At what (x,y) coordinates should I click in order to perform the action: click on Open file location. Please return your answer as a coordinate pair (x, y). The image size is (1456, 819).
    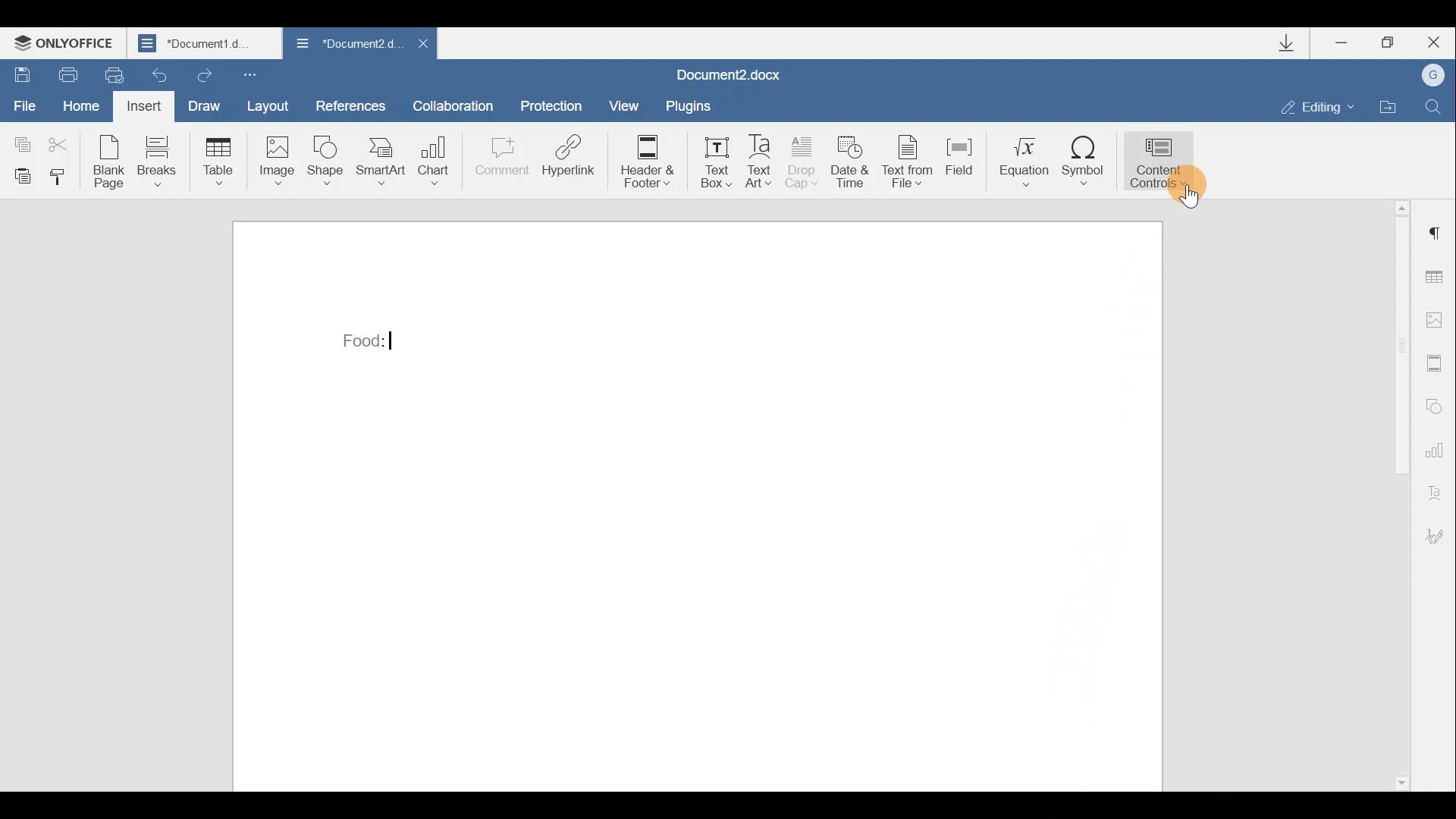
    Looking at the image, I should click on (1388, 105).